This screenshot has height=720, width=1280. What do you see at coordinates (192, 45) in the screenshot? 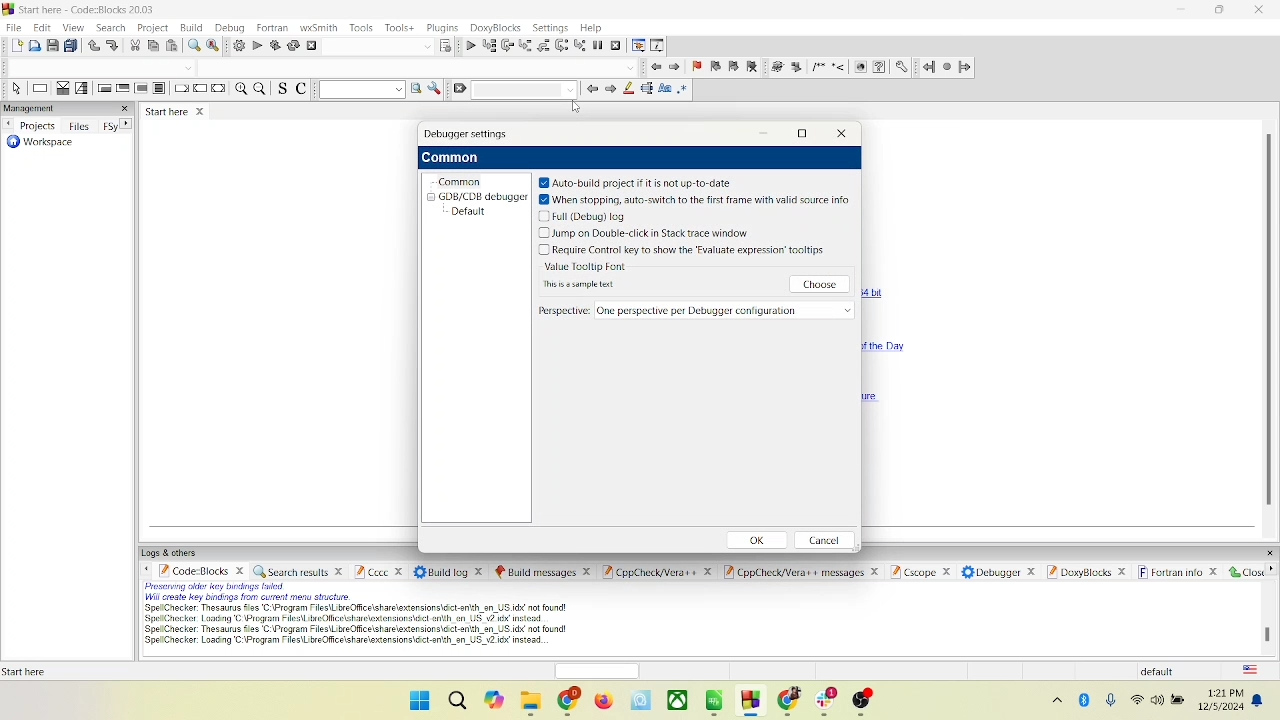
I see `find` at bounding box center [192, 45].